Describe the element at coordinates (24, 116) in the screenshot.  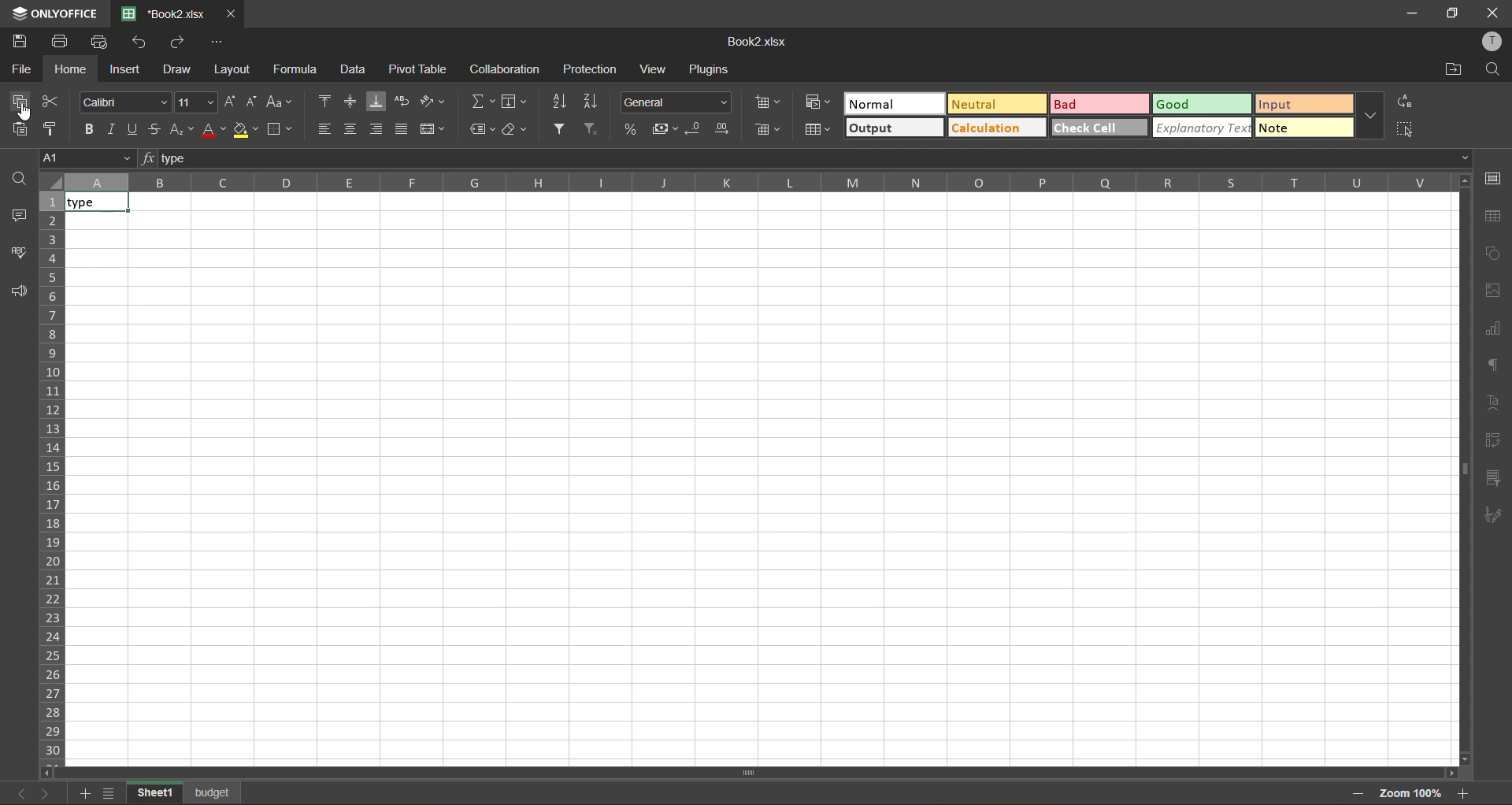
I see `Cursor` at that location.